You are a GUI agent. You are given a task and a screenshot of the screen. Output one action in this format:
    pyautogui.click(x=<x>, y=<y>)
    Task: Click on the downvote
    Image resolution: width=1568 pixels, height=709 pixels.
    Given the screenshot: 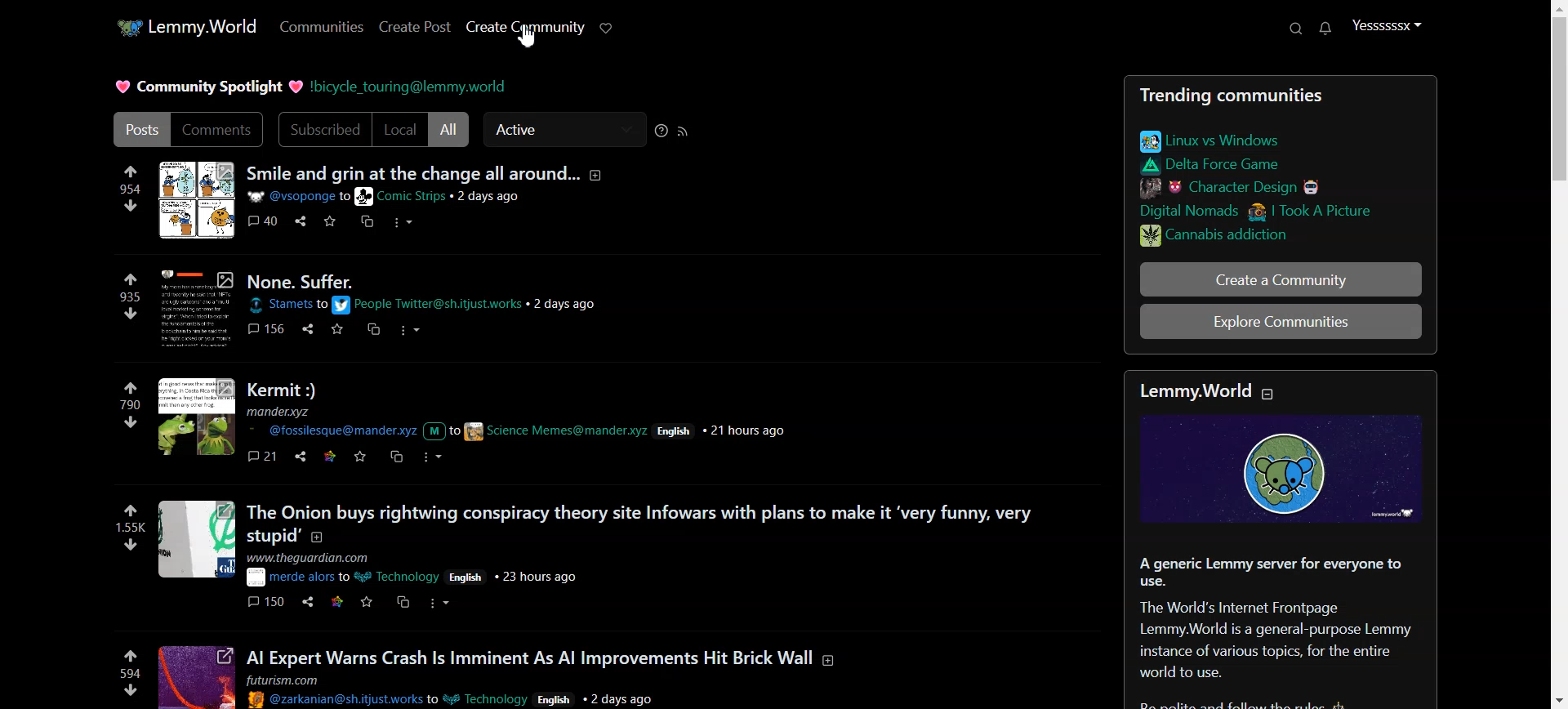 What is the action you would take?
    pyautogui.click(x=136, y=545)
    